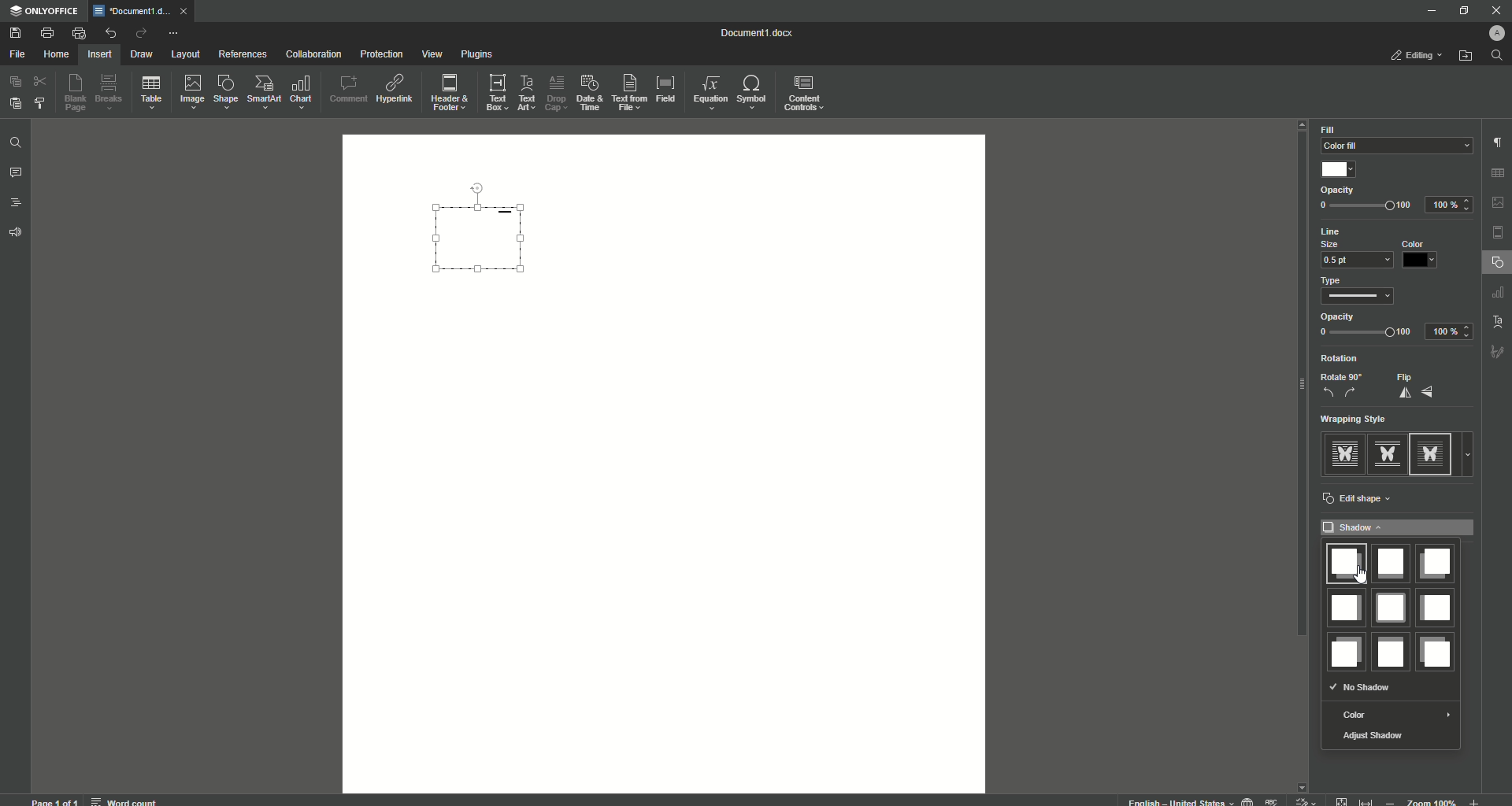 The height and width of the screenshot is (806, 1512). I want to click on text language, so click(1173, 800).